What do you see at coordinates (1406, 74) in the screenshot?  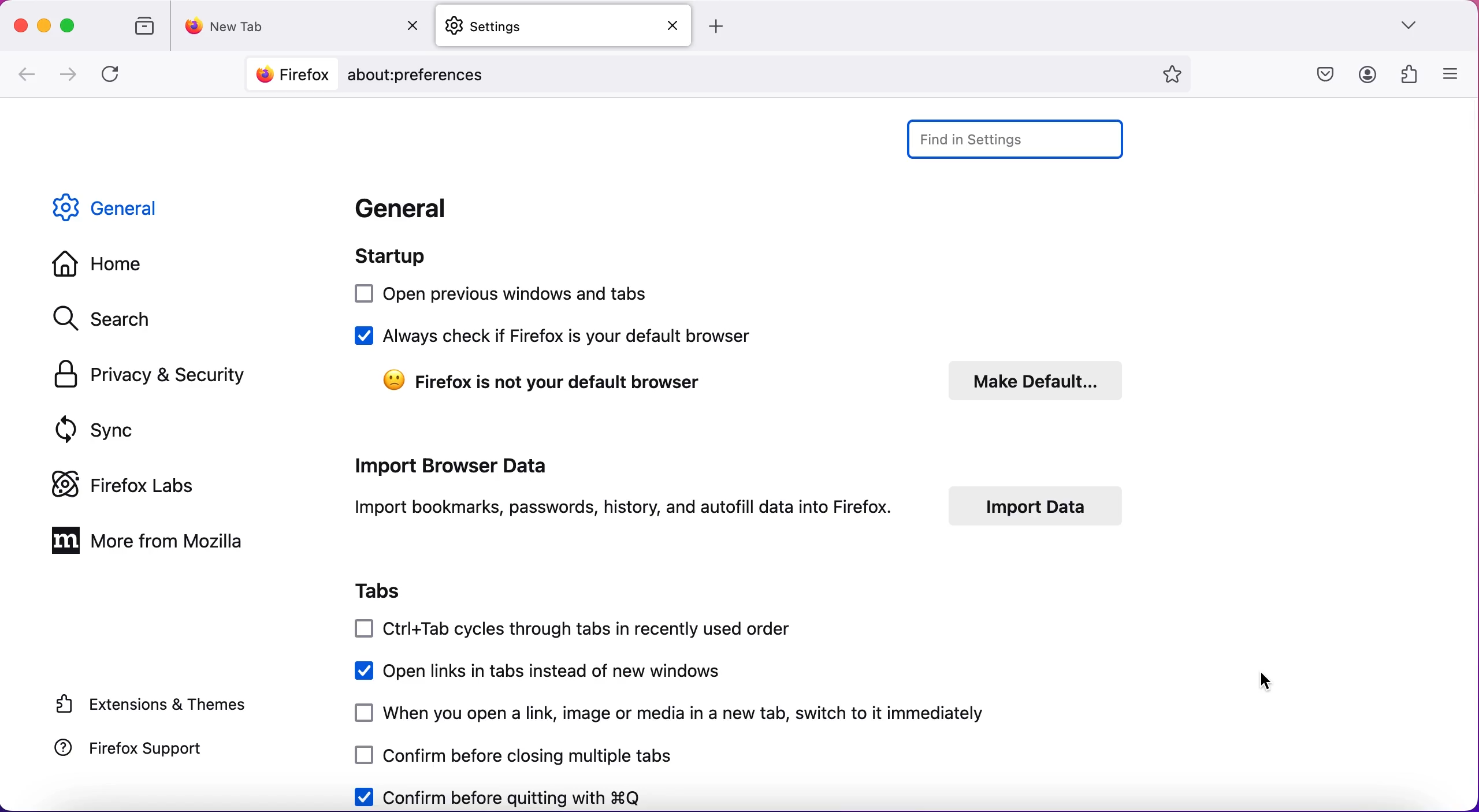 I see `extensions` at bounding box center [1406, 74].